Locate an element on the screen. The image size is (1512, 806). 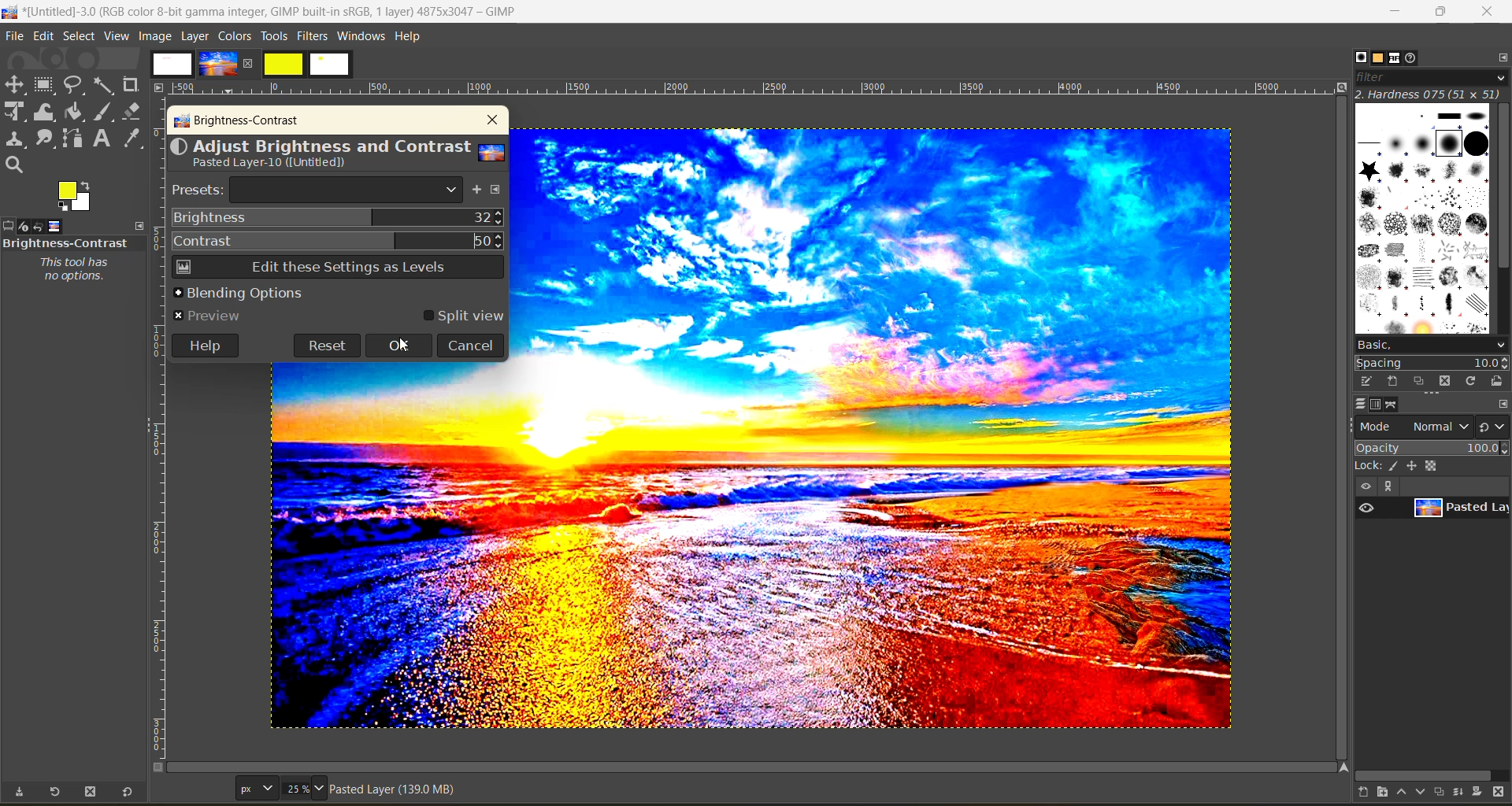
basic is located at coordinates (1431, 345).